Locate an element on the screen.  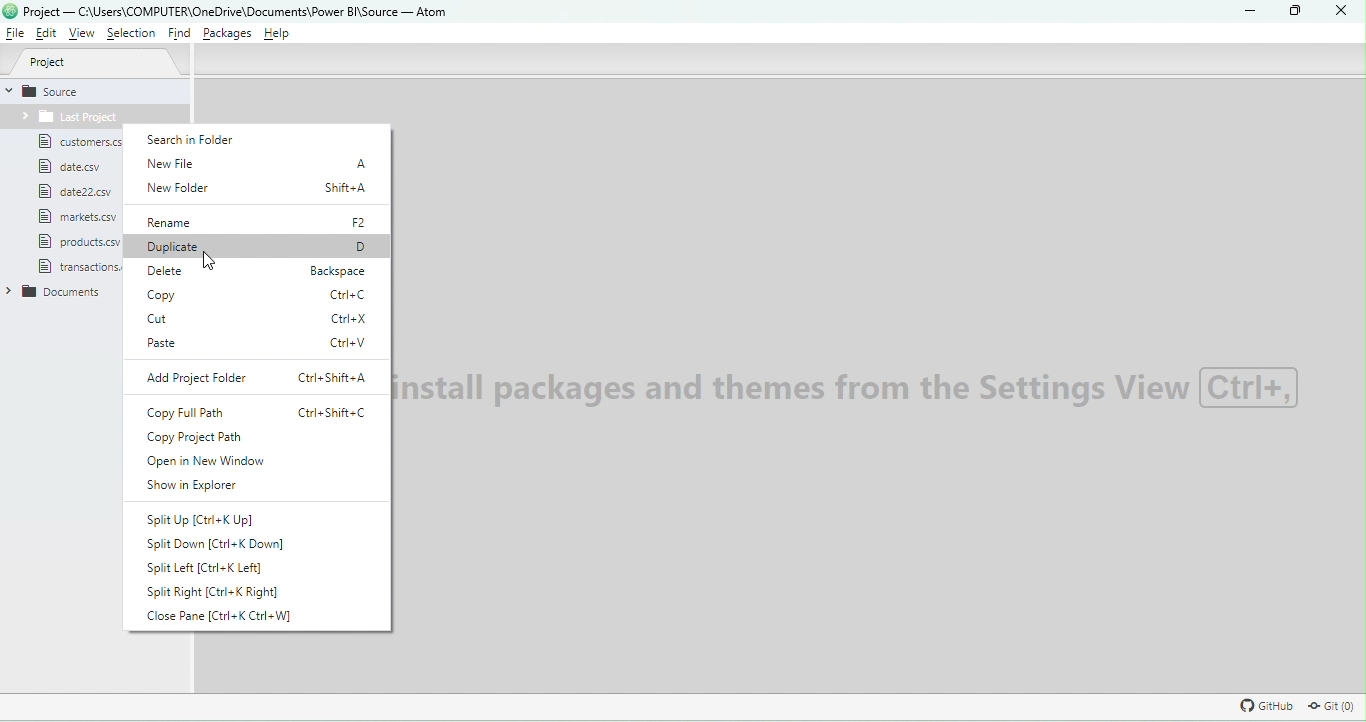
Rename is located at coordinates (264, 222).